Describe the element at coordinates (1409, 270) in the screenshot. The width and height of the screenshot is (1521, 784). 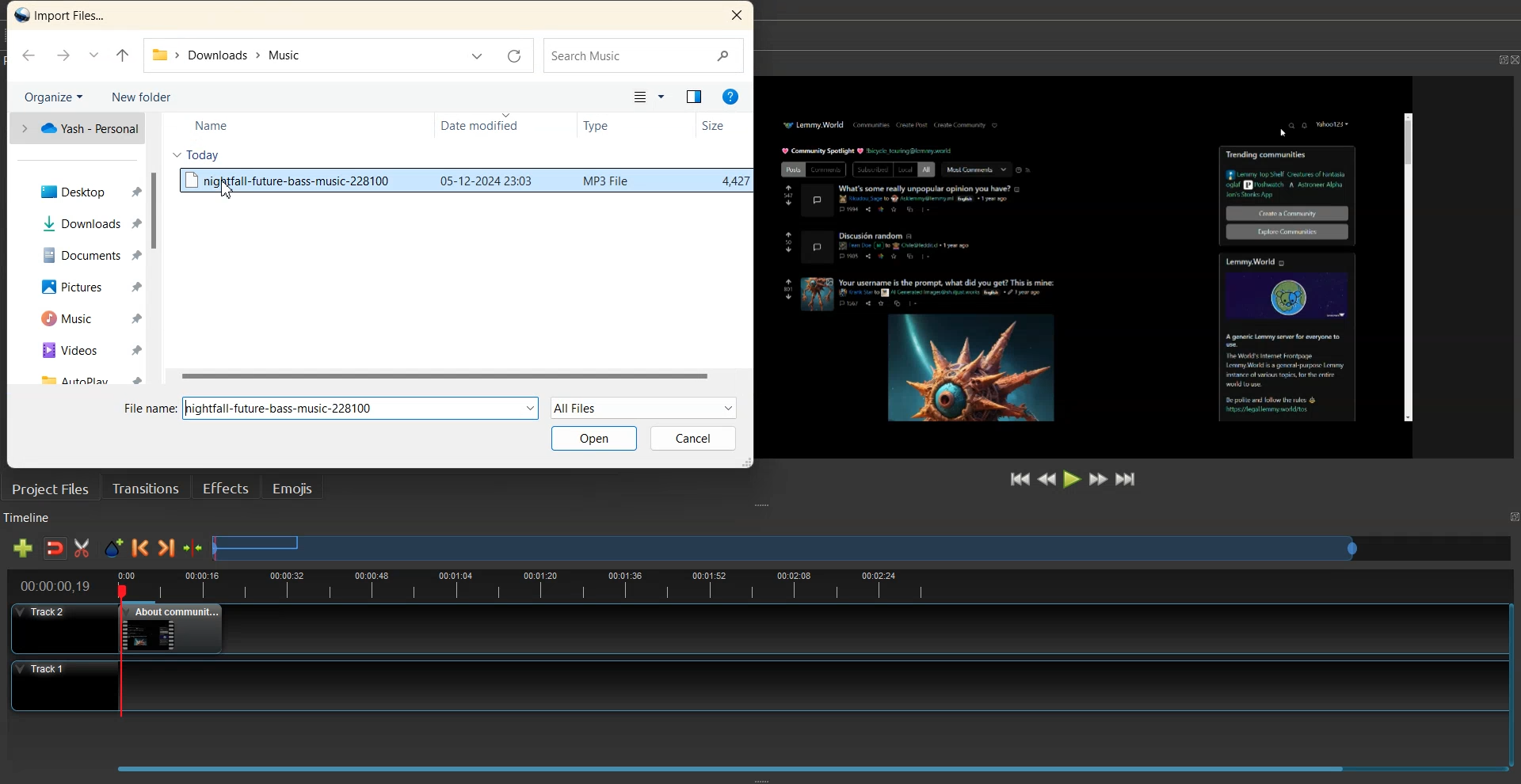
I see `` at that location.